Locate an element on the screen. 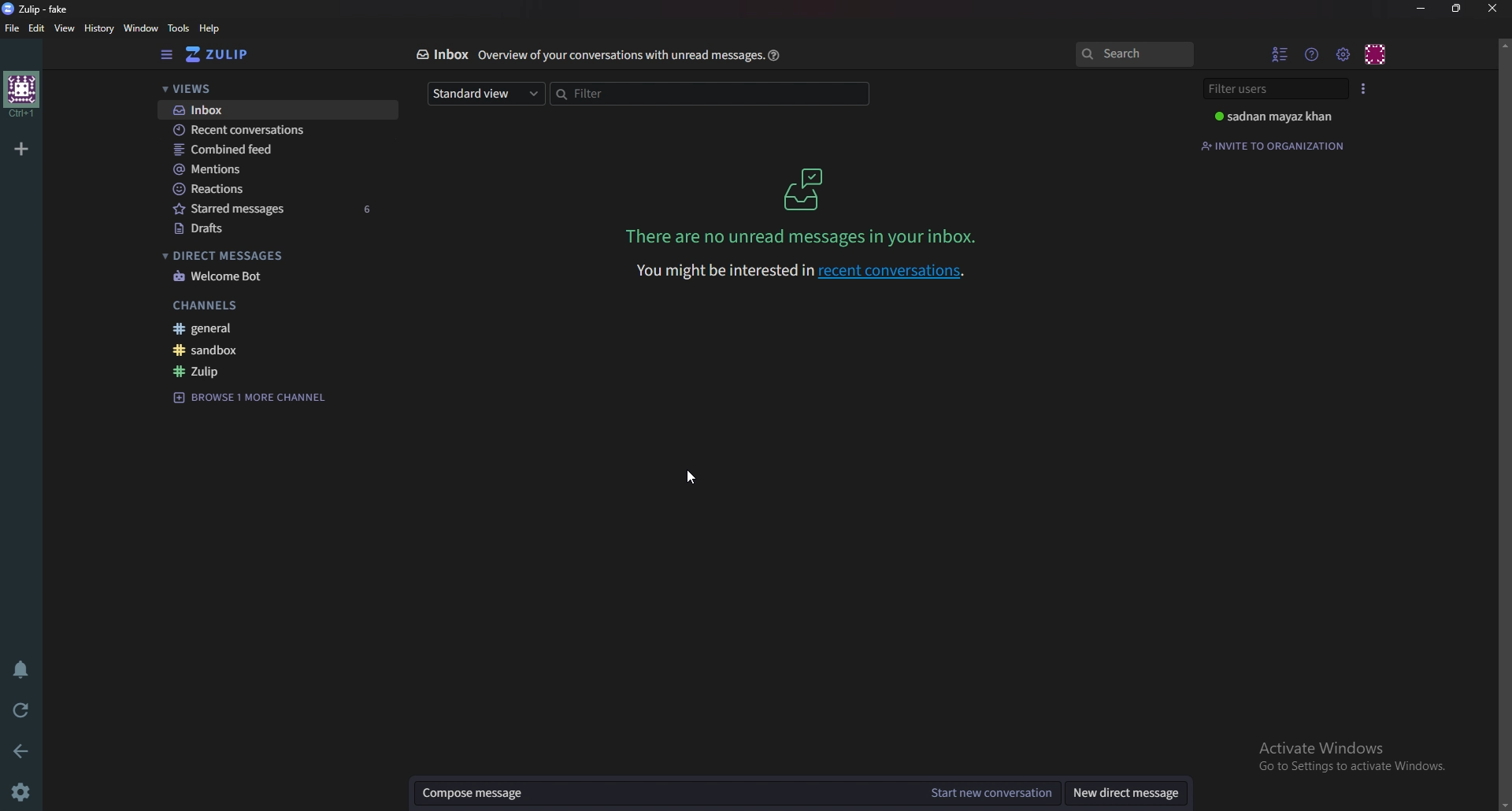  Add organization is located at coordinates (24, 146).